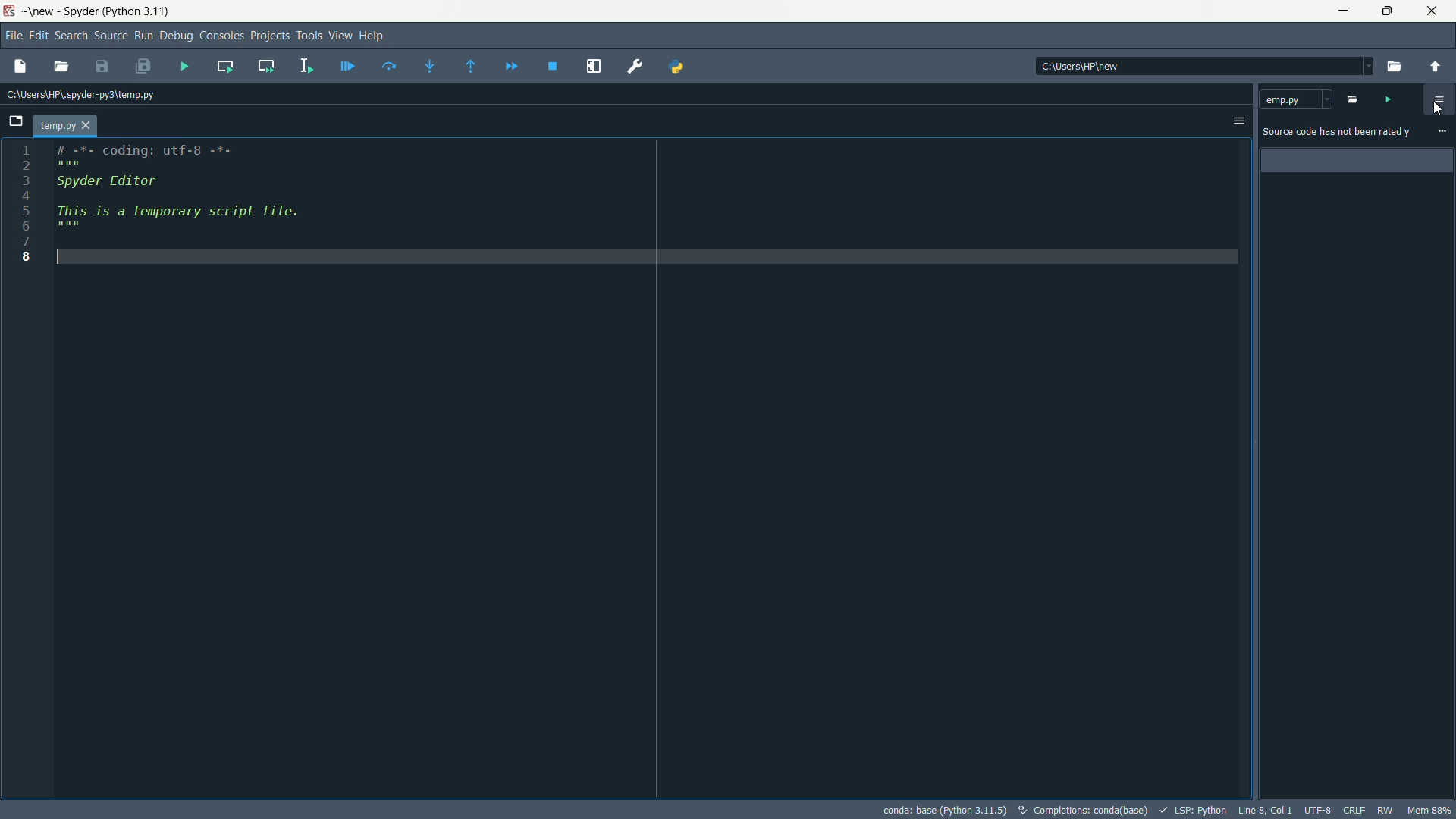 This screenshot has height=819, width=1456. What do you see at coordinates (390, 67) in the screenshot?
I see `run current line` at bounding box center [390, 67].